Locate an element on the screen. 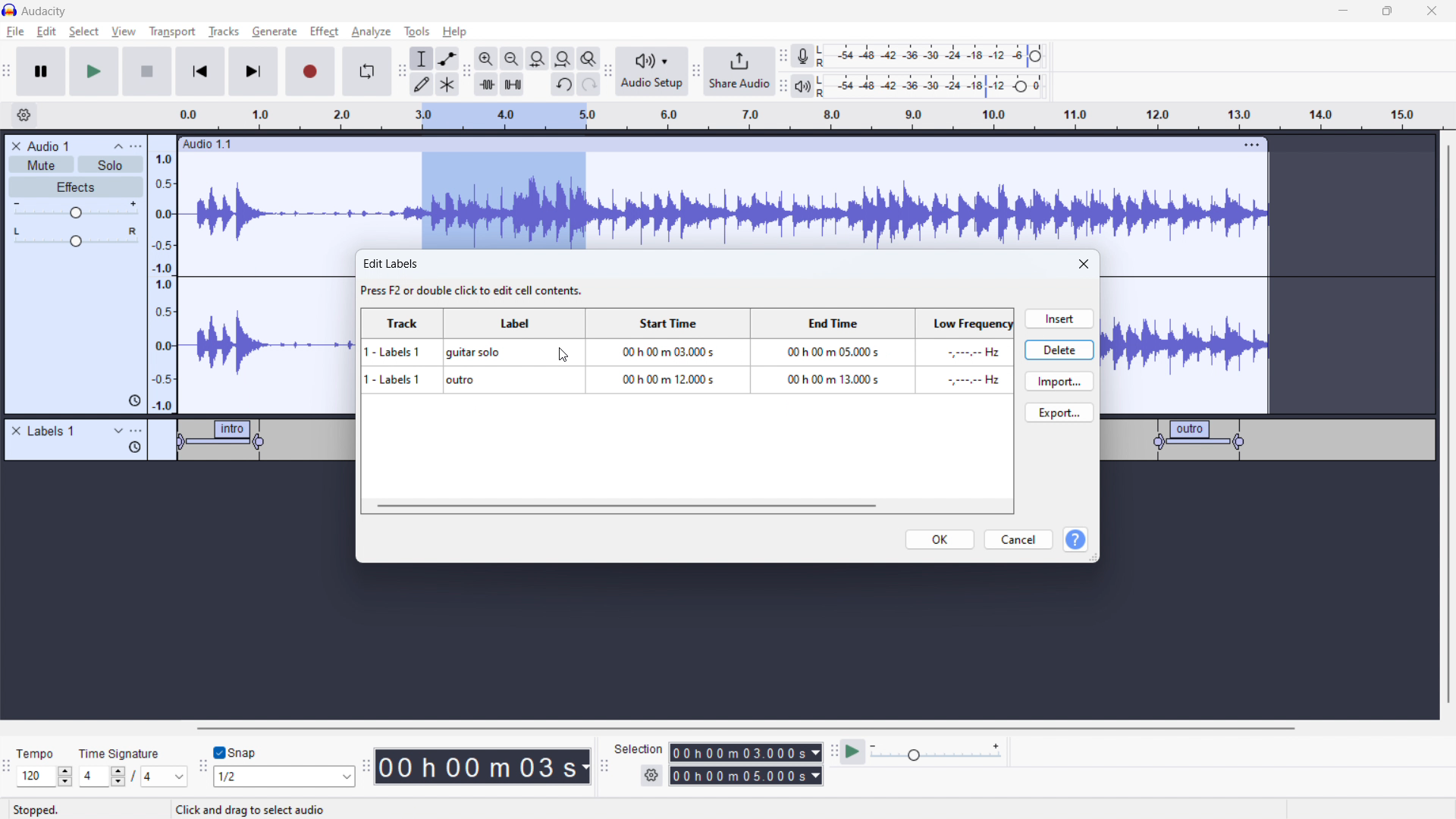  silence audio selection is located at coordinates (513, 84).